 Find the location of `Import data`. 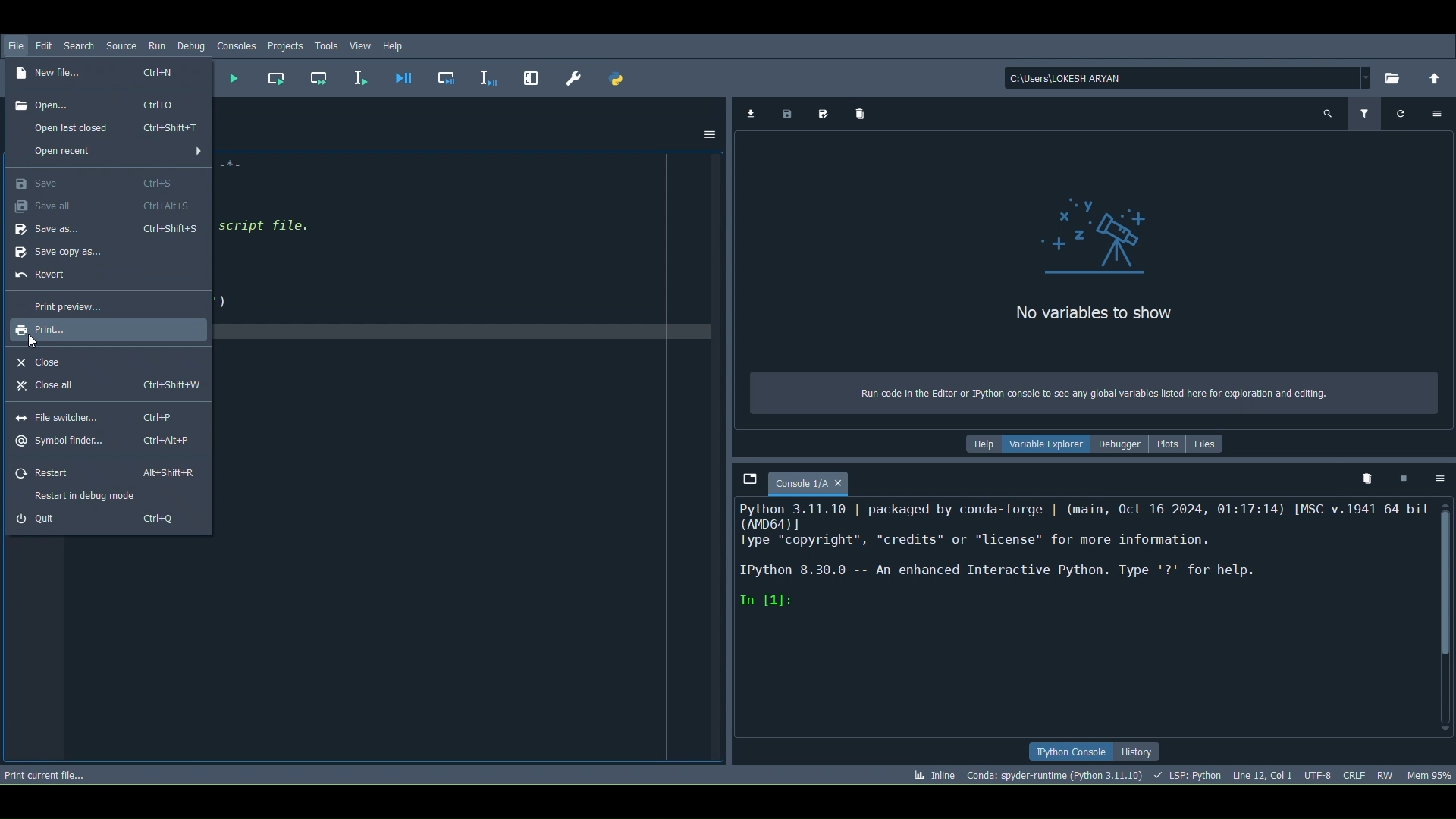

Import data is located at coordinates (750, 113).